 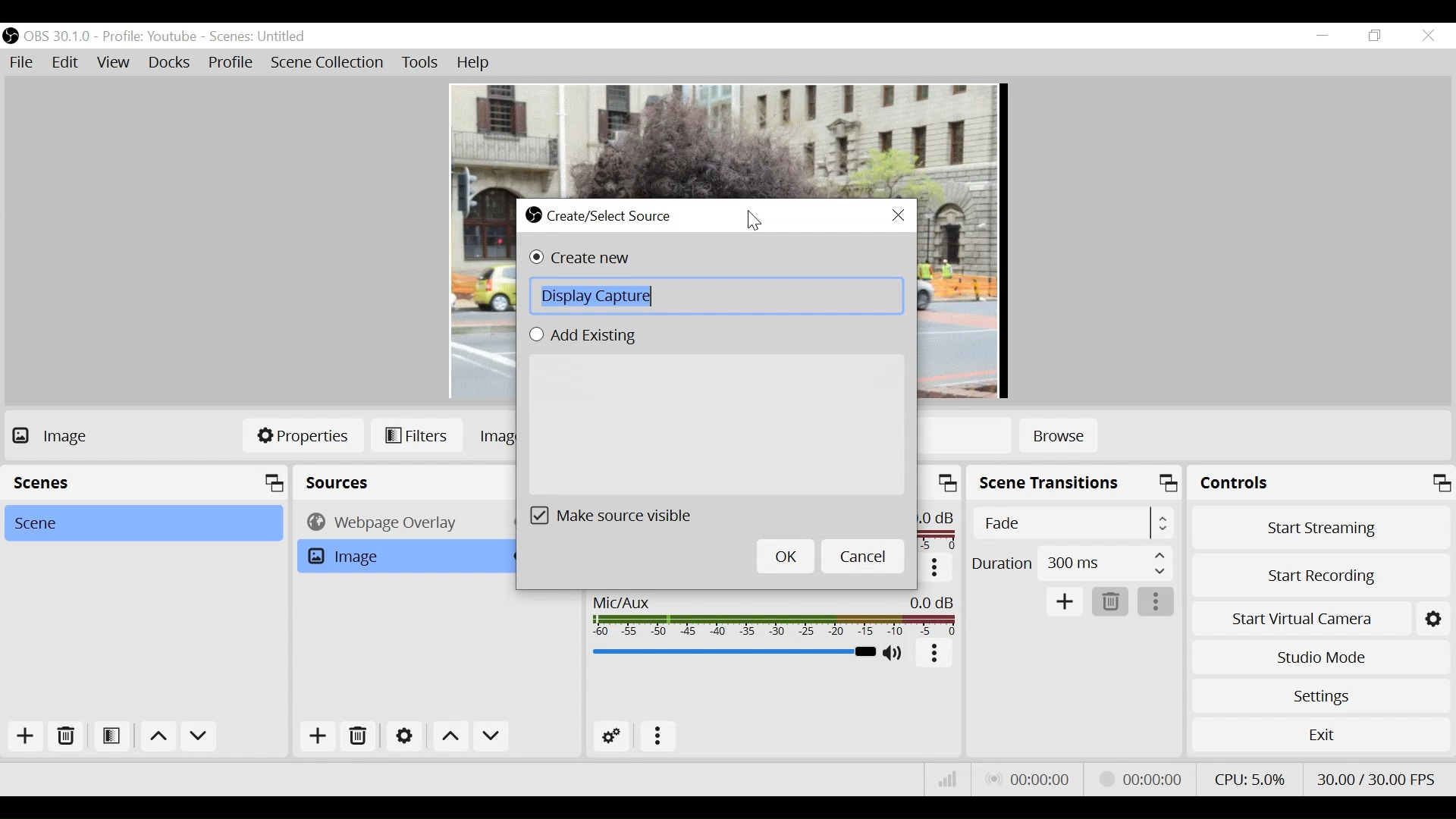 What do you see at coordinates (476, 64) in the screenshot?
I see `Help` at bounding box center [476, 64].